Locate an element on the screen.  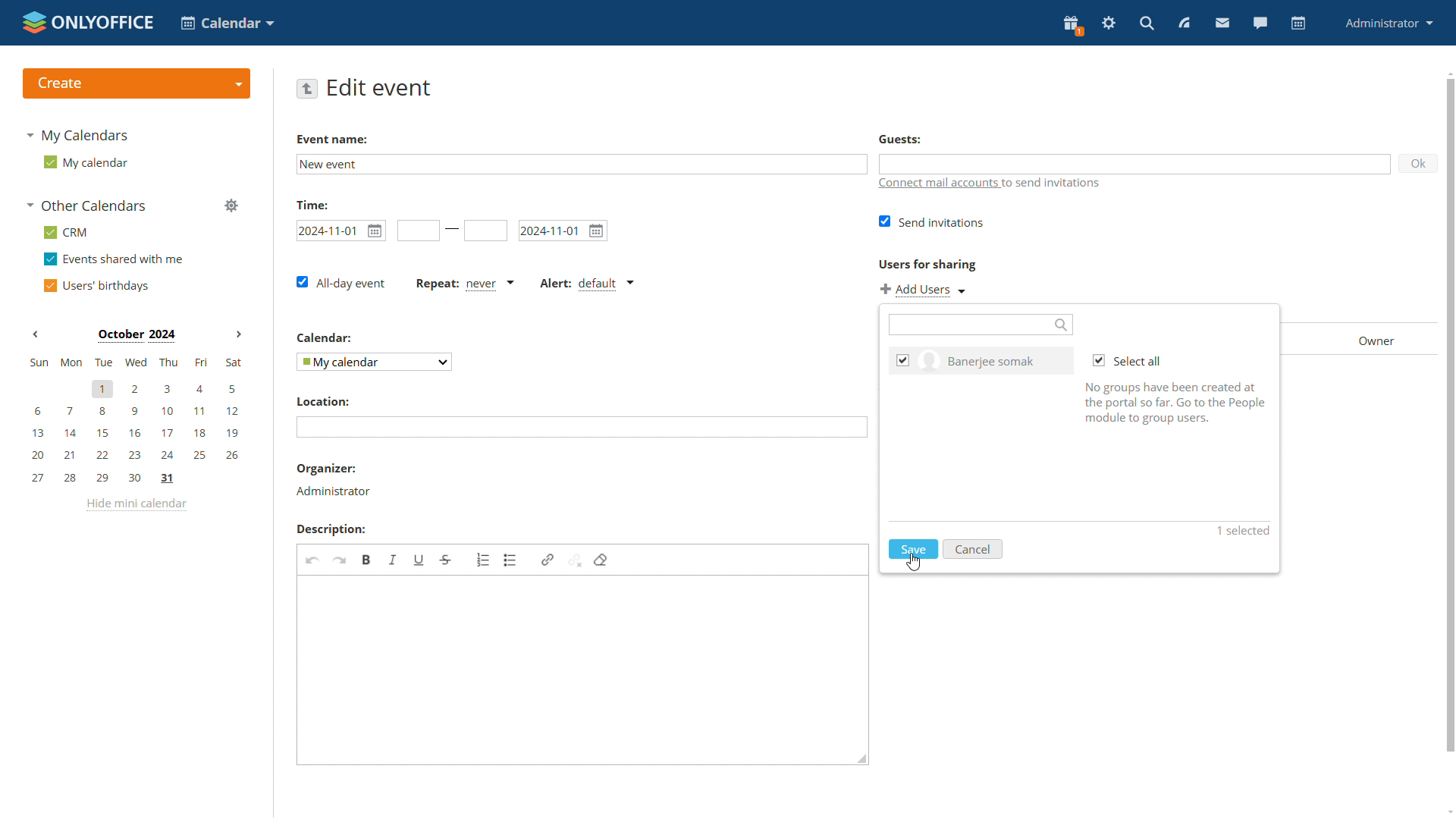
hide mini calendar is located at coordinates (139, 507).